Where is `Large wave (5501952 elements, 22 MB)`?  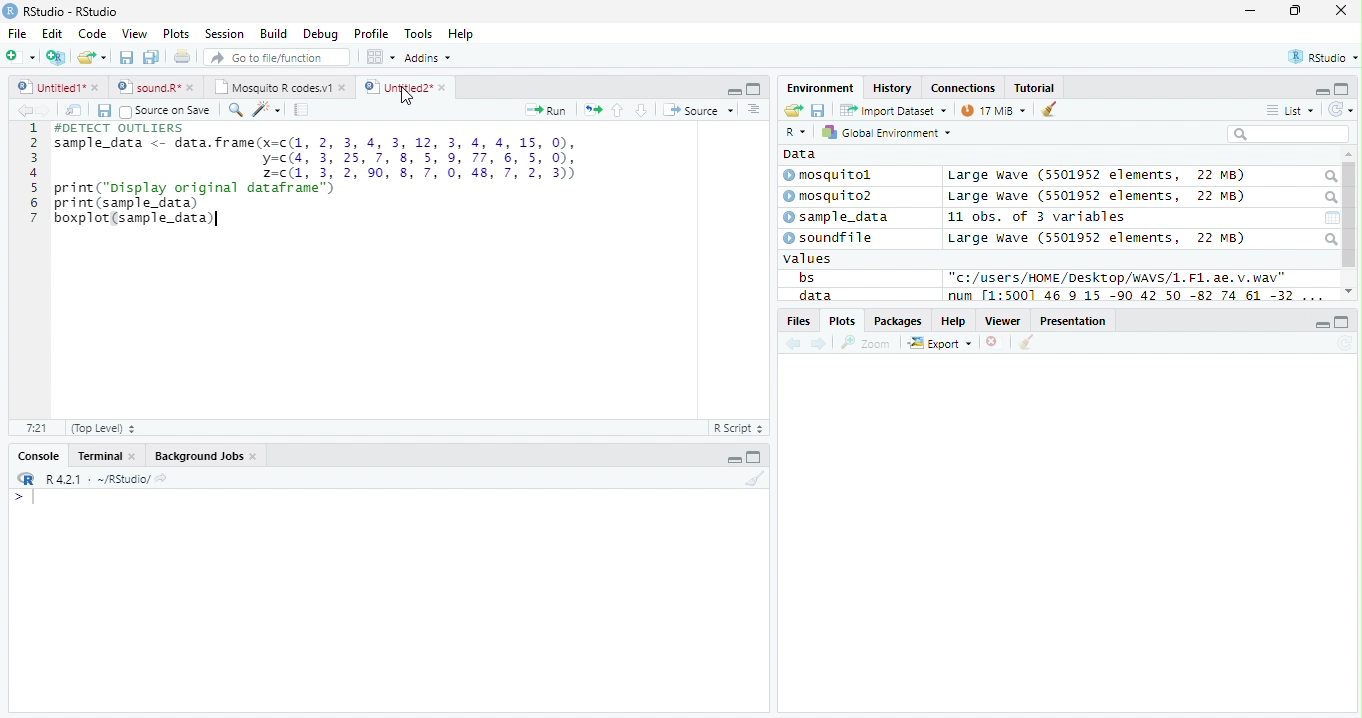
Large wave (5501952 elements, 22 MB) is located at coordinates (1100, 197).